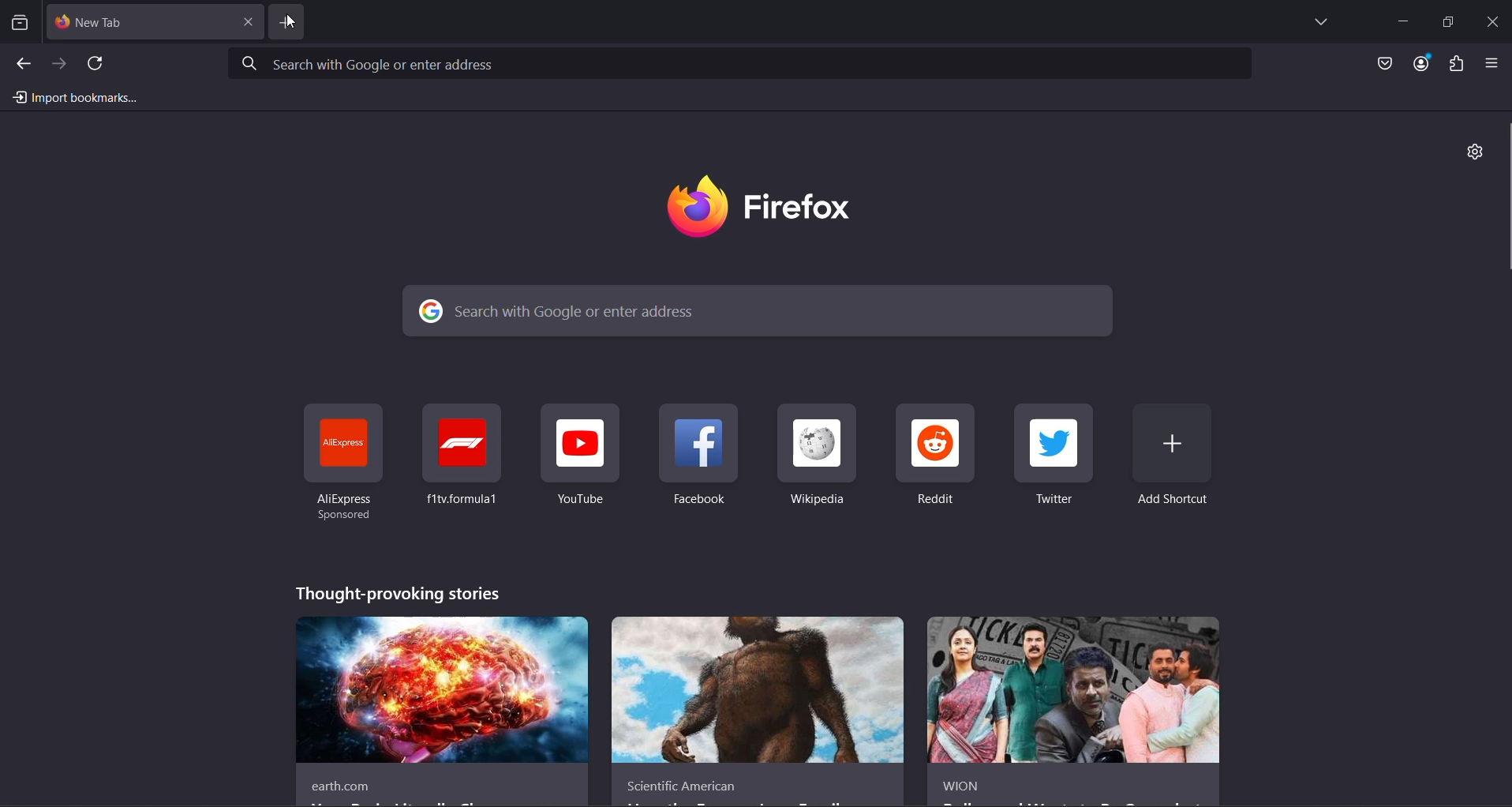  What do you see at coordinates (1502, 197) in the screenshot?
I see `scroll bar` at bounding box center [1502, 197].